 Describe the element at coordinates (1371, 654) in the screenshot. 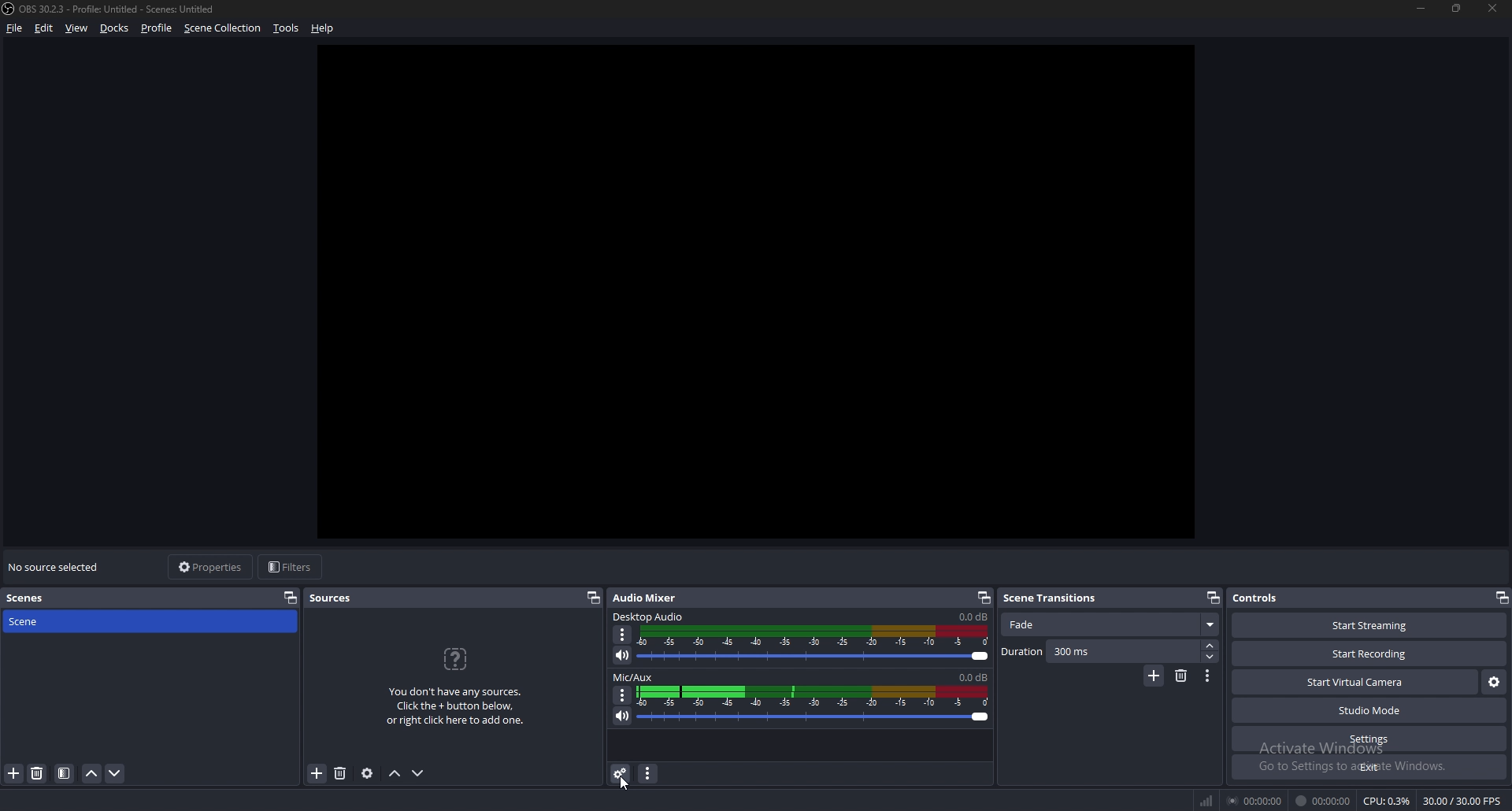

I see `start recording` at that location.